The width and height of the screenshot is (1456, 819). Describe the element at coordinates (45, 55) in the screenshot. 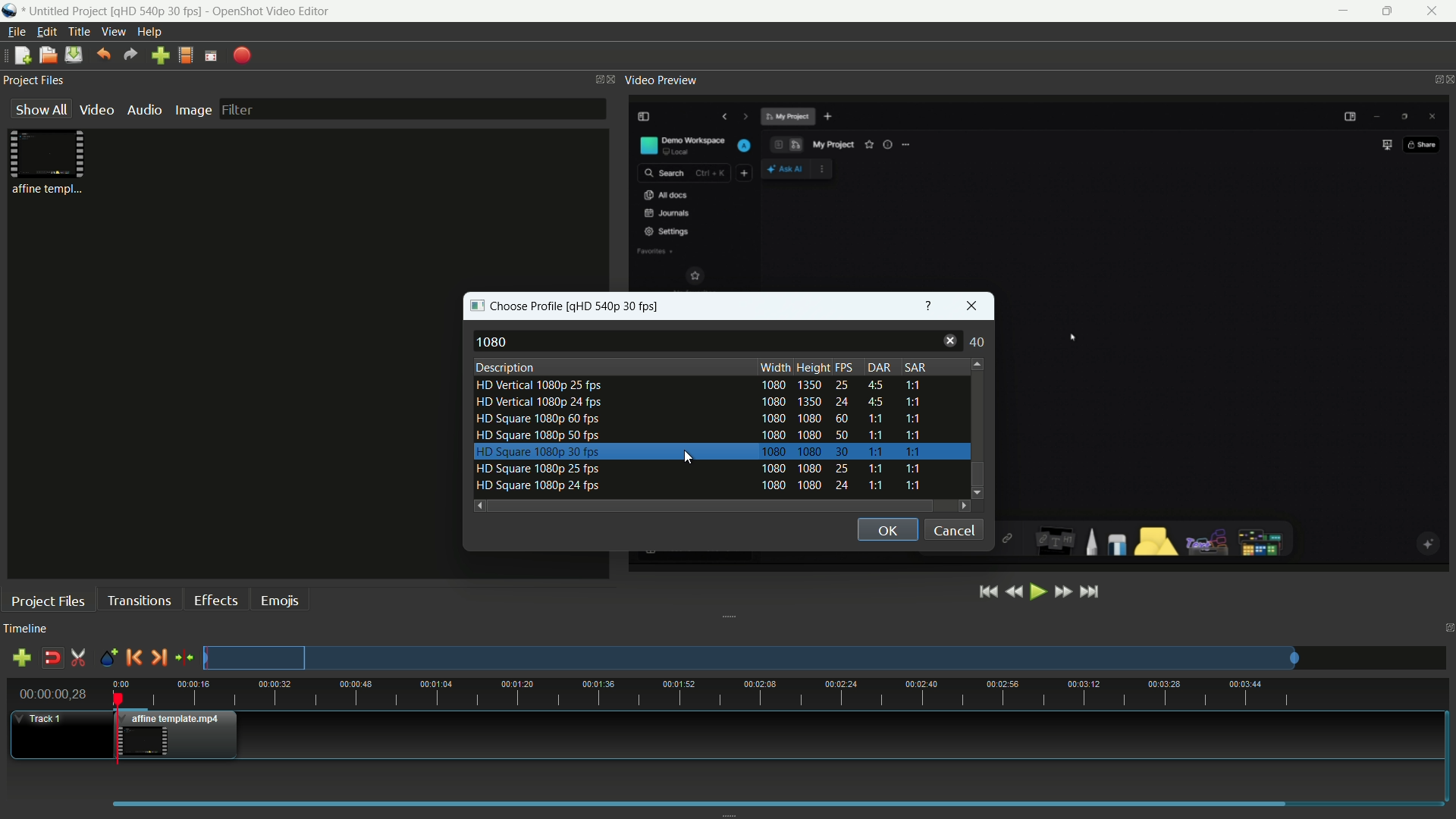

I see `open file` at that location.